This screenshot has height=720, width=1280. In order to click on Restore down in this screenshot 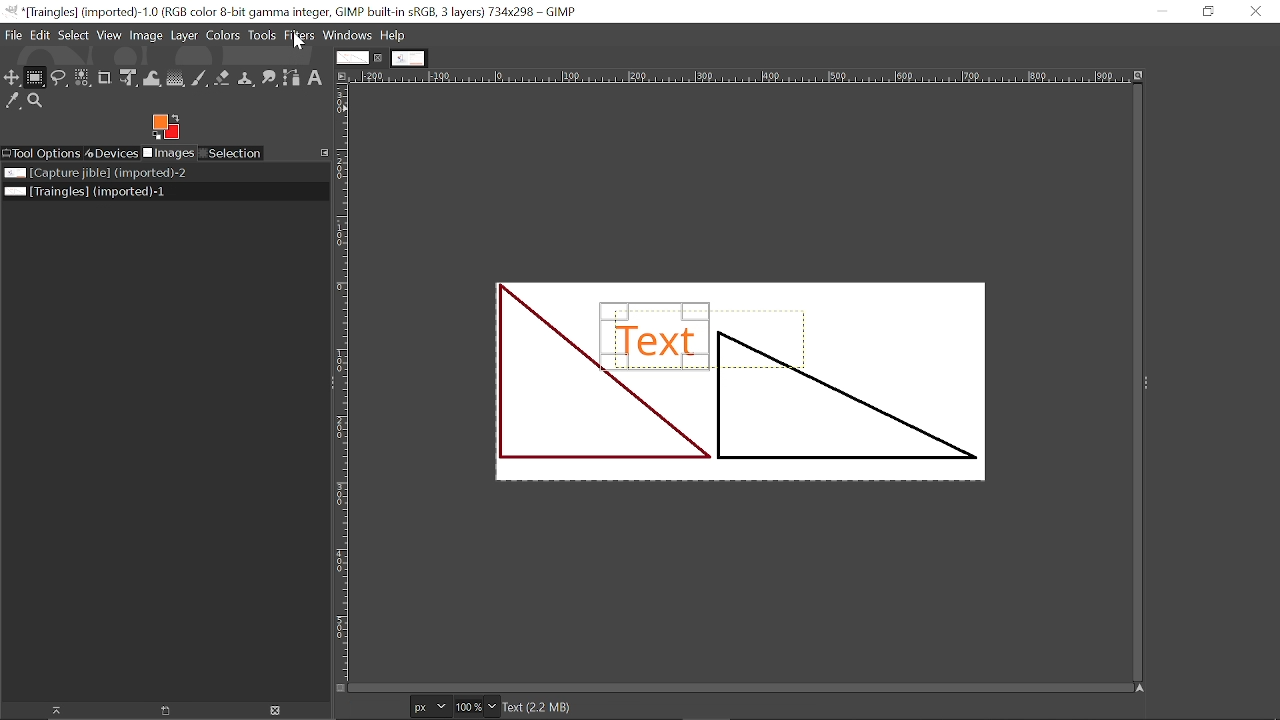, I will do `click(1210, 12)`.